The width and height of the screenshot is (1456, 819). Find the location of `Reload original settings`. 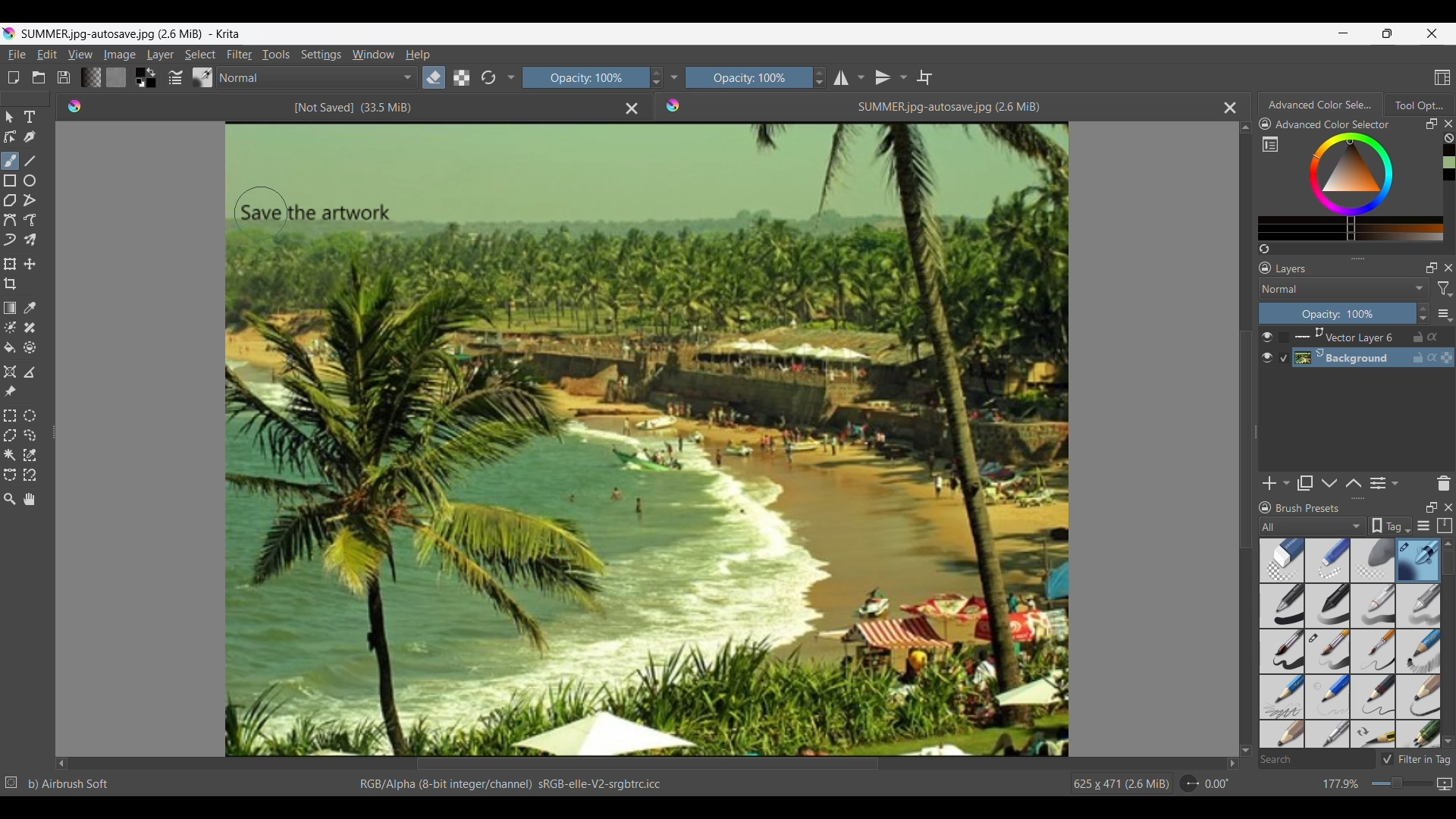

Reload original settings is located at coordinates (488, 77).